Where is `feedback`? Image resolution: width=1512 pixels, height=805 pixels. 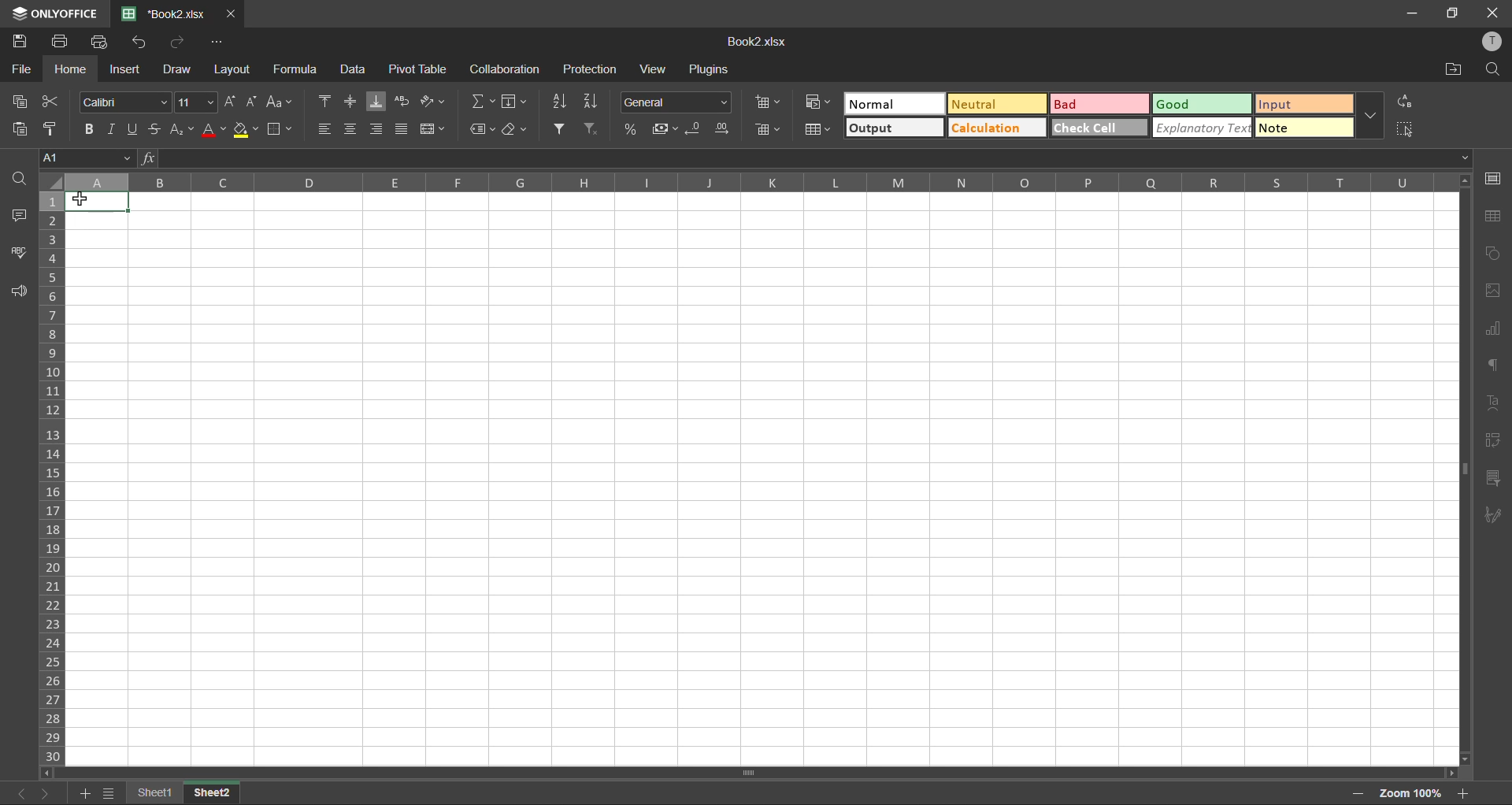
feedback is located at coordinates (17, 291).